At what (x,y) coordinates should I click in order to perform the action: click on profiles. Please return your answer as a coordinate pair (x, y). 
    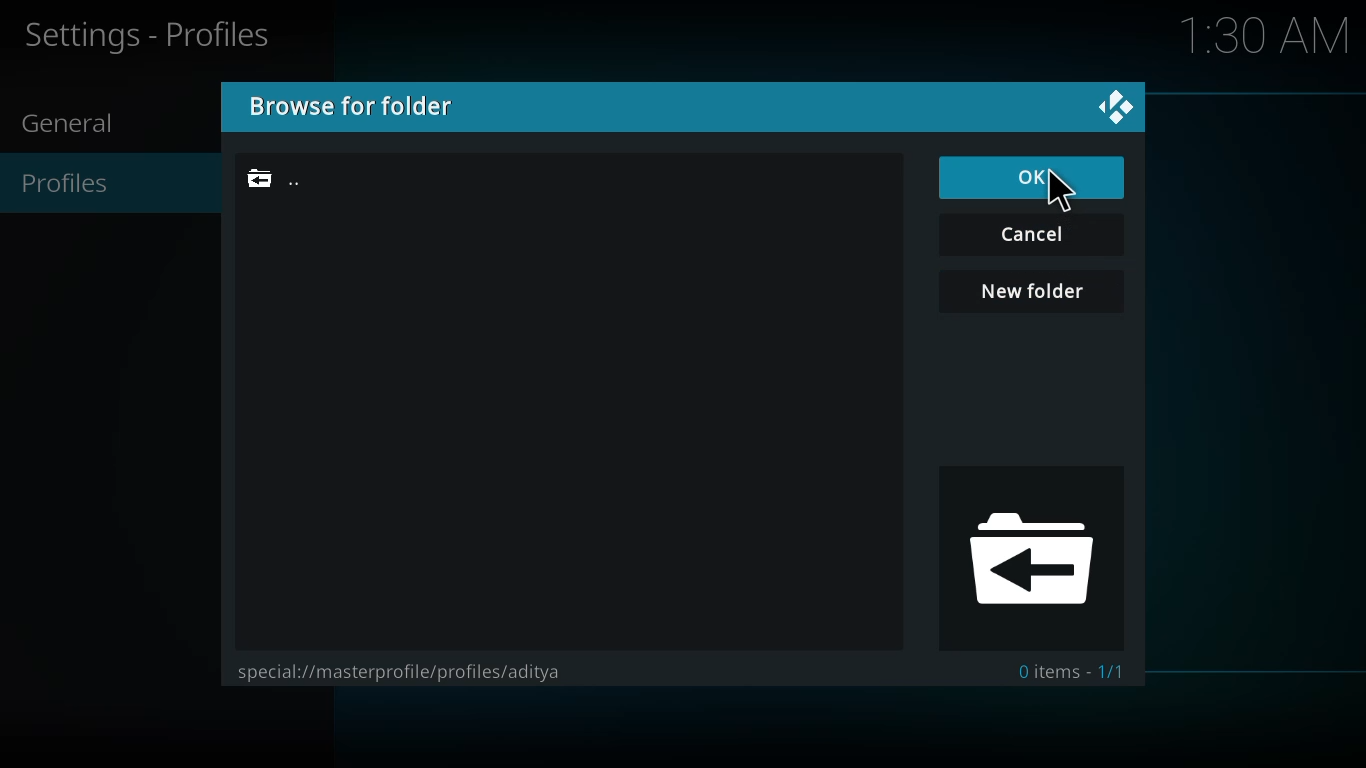
    Looking at the image, I should click on (155, 36).